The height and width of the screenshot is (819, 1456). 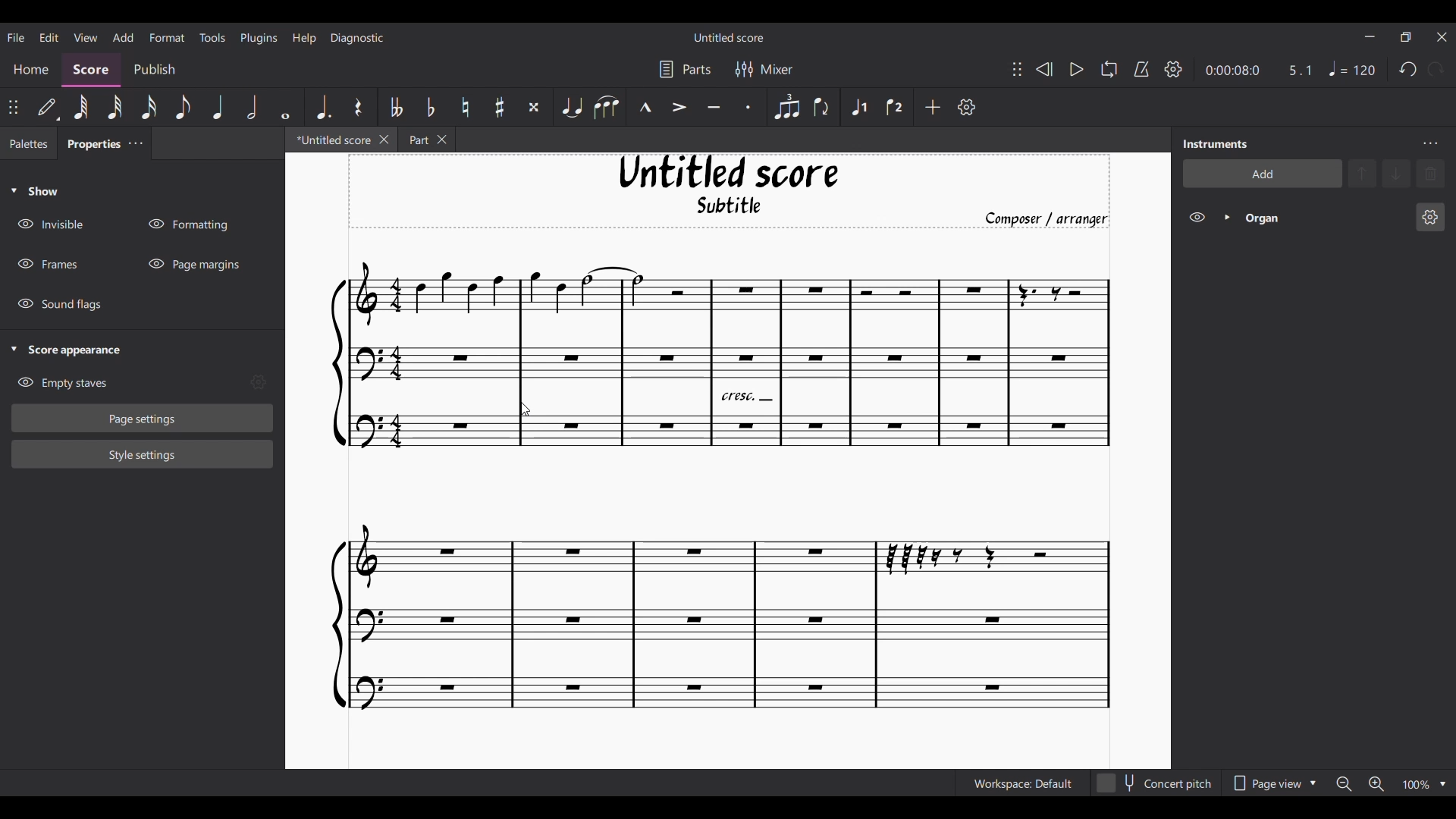 I want to click on Voice 1, so click(x=857, y=107).